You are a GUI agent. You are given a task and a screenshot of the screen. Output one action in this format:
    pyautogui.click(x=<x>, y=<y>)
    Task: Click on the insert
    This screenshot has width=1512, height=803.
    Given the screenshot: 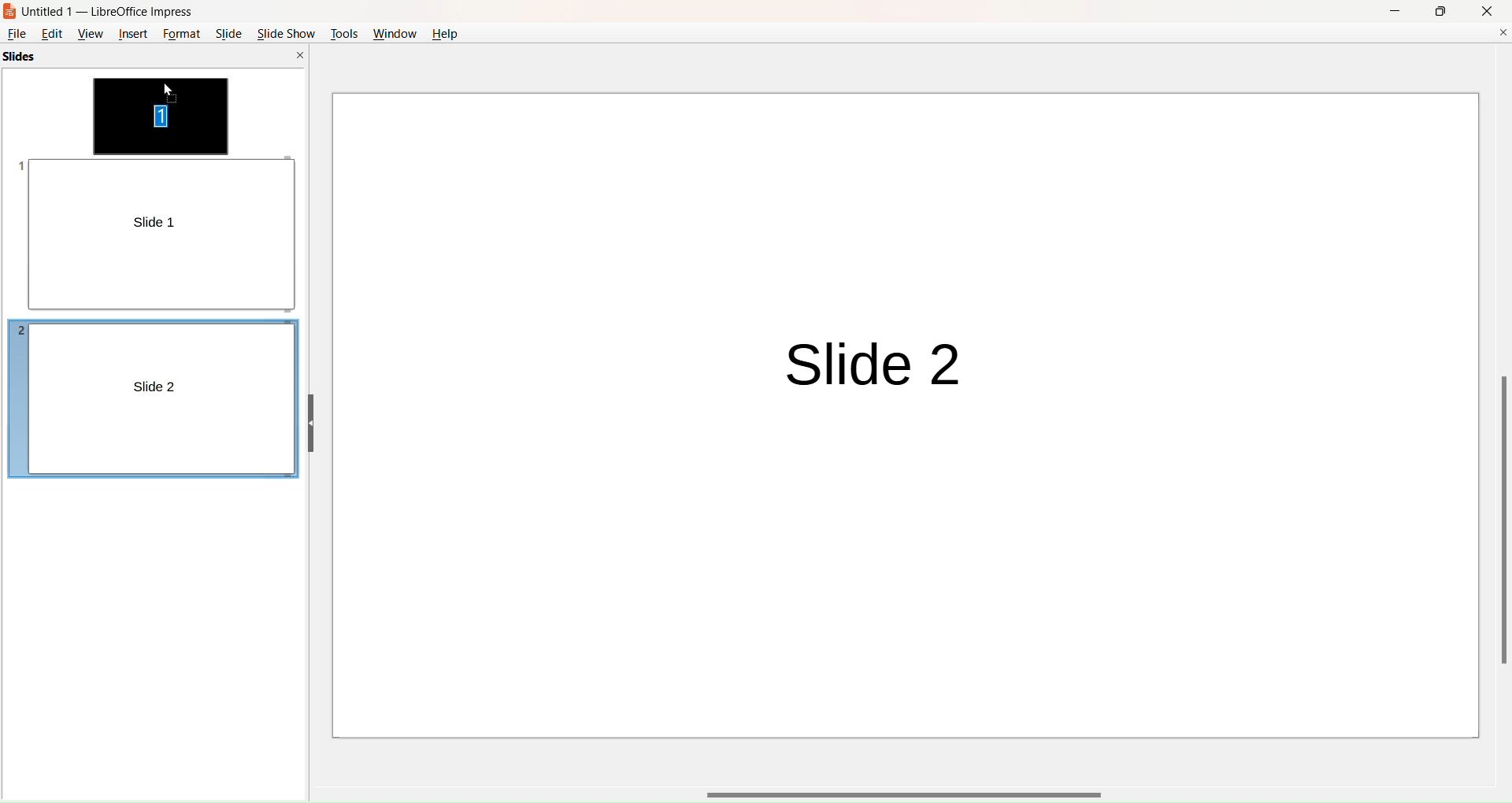 What is the action you would take?
    pyautogui.click(x=134, y=35)
    